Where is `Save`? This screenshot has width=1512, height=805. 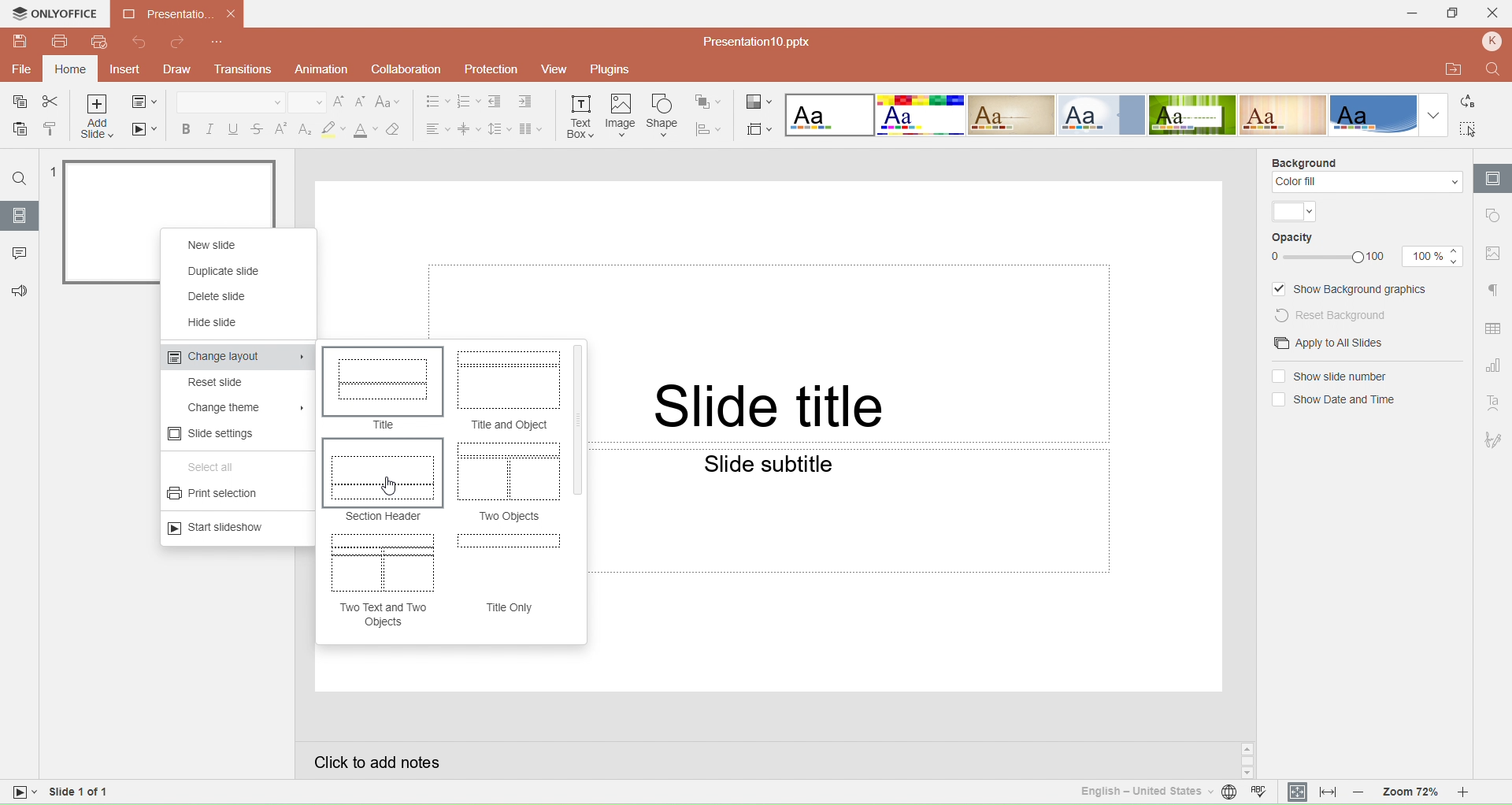
Save is located at coordinates (16, 103).